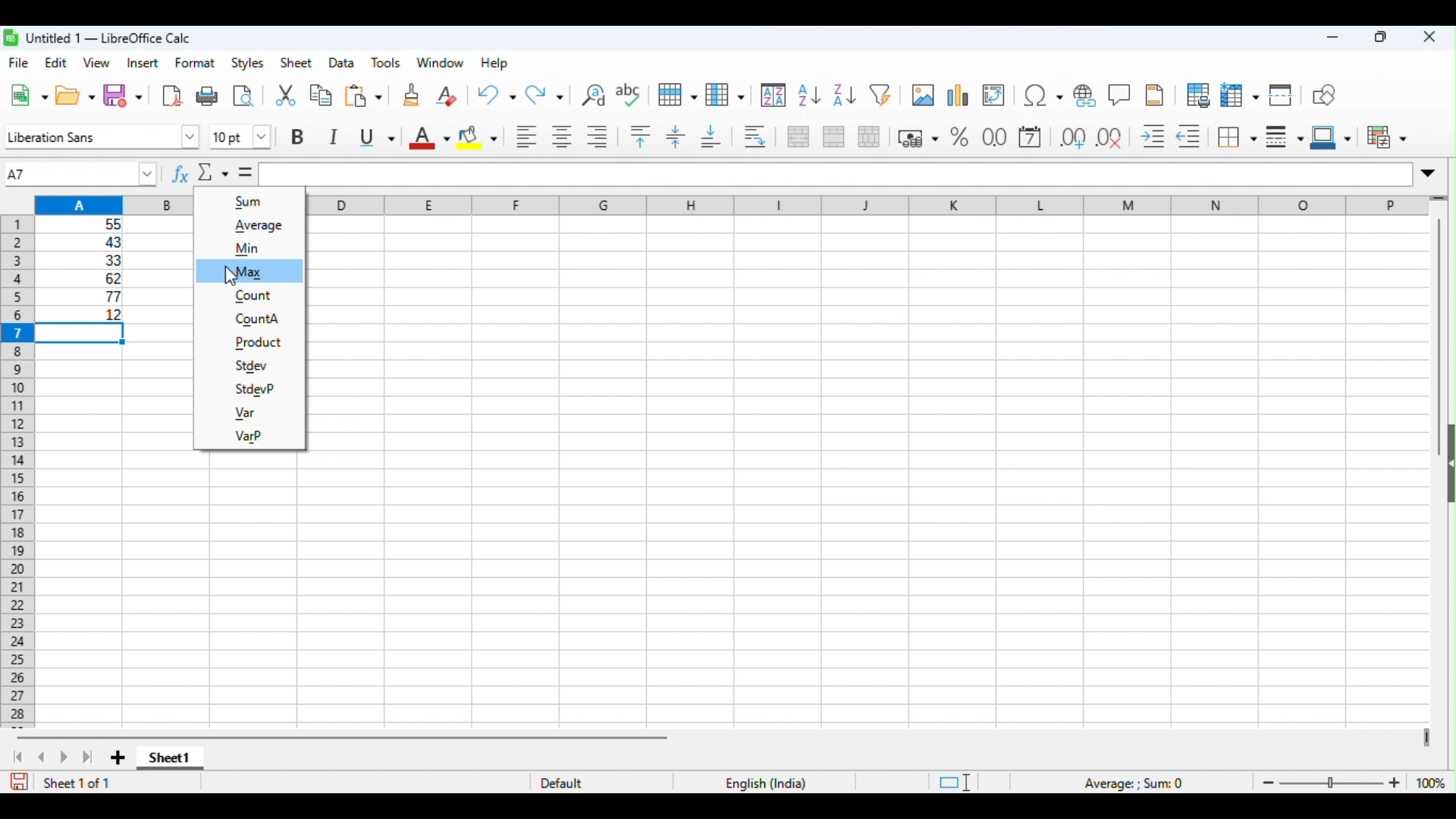 The image size is (1456, 819). What do you see at coordinates (563, 137) in the screenshot?
I see `align center` at bounding box center [563, 137].